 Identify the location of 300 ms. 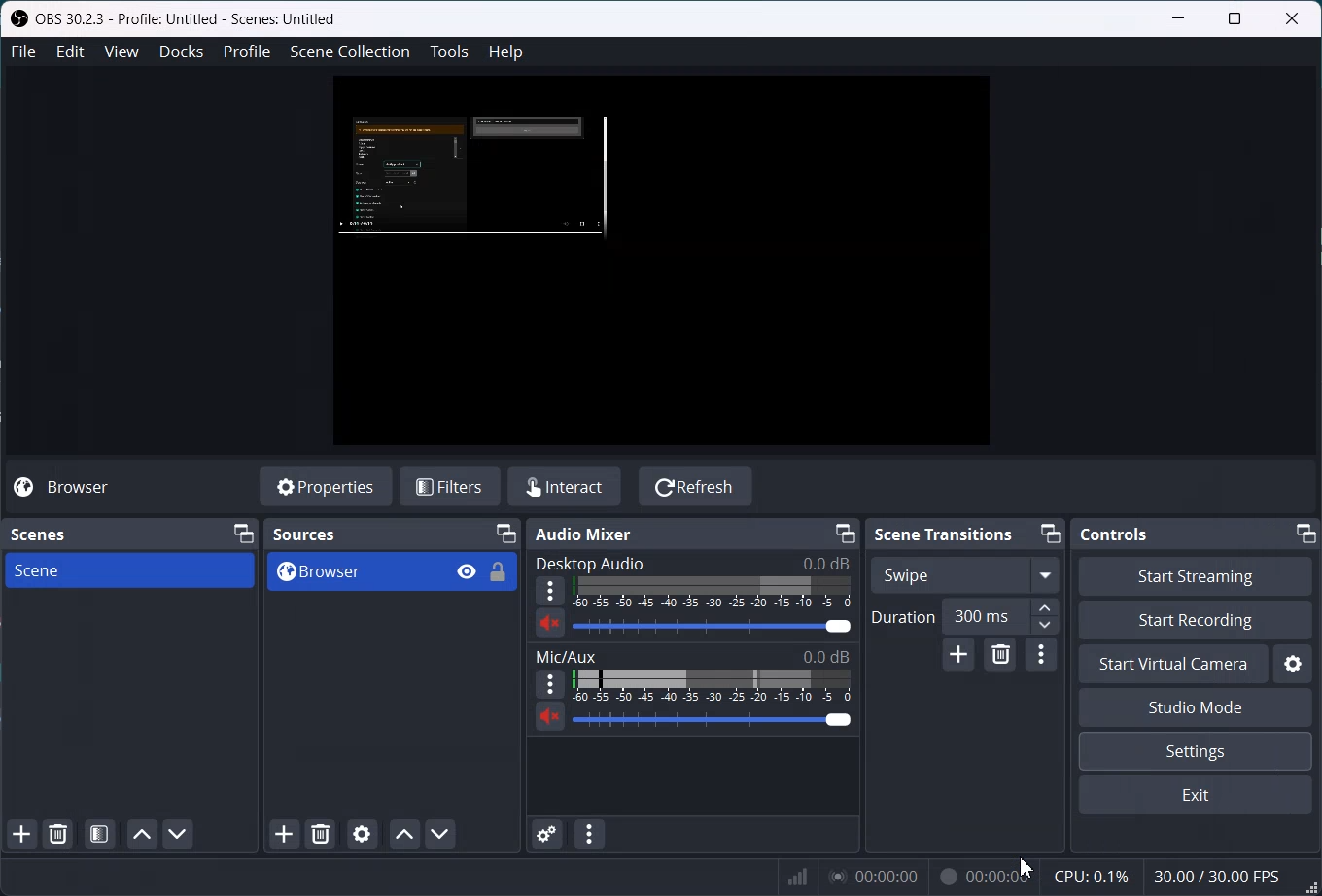
(1004, 616).